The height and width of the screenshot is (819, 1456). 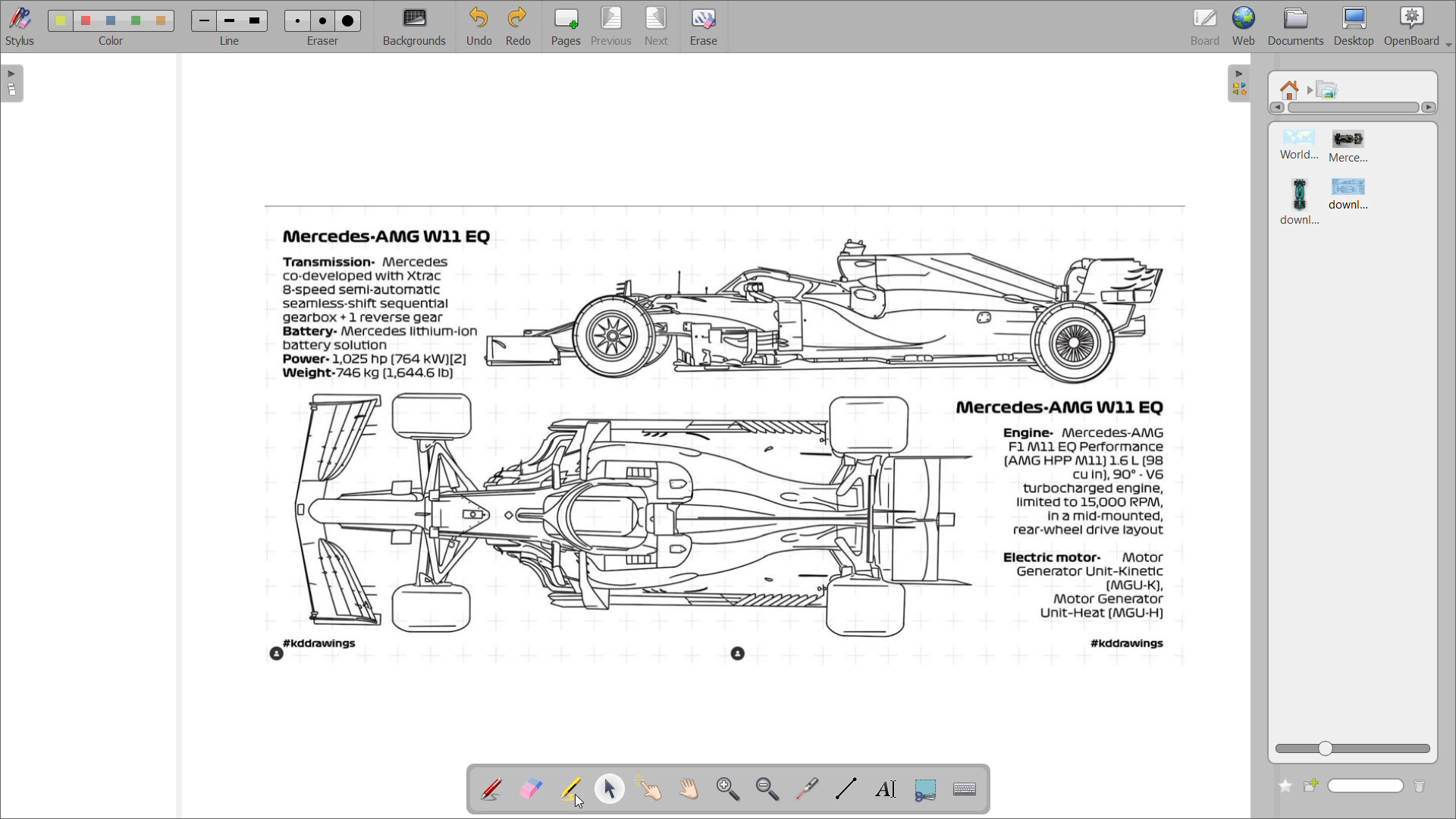 I want to click on next, so click(x=658, y=25).